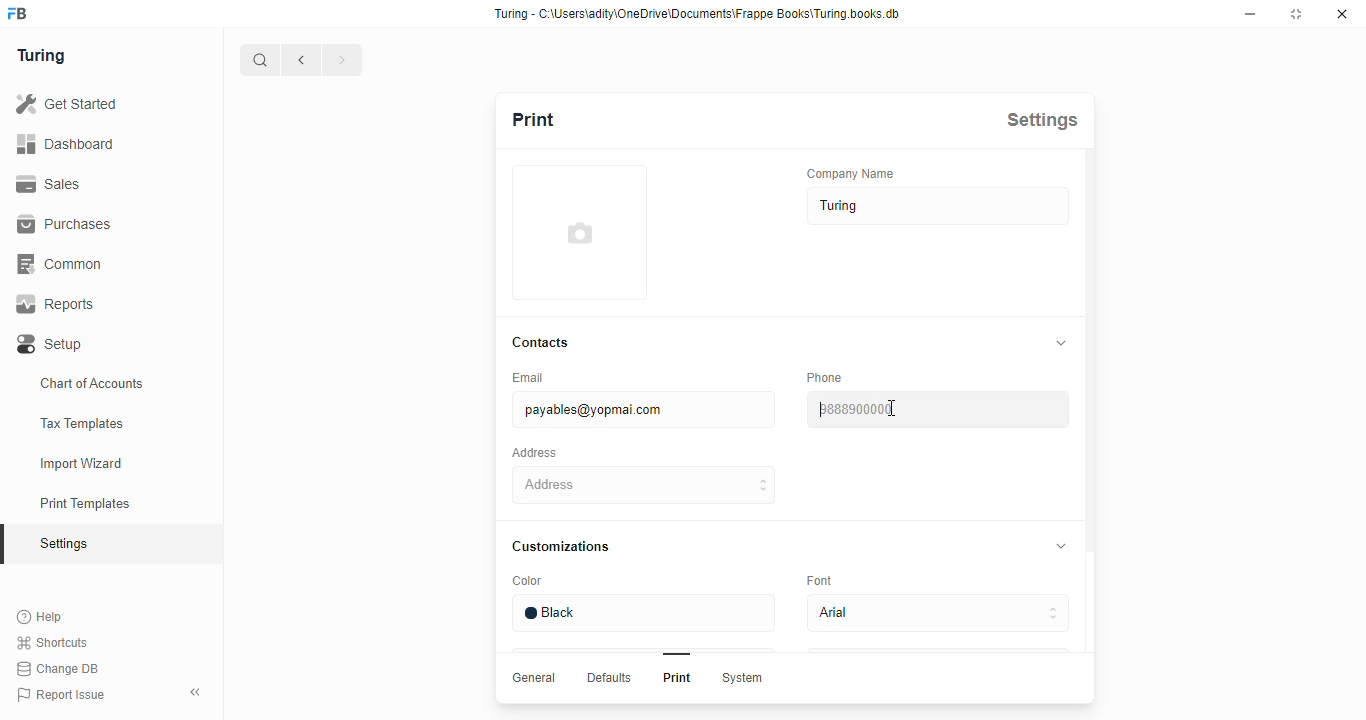  Describe the element at coordinates (104, 144) in the screenshot. I see `Dashboard` at that location.